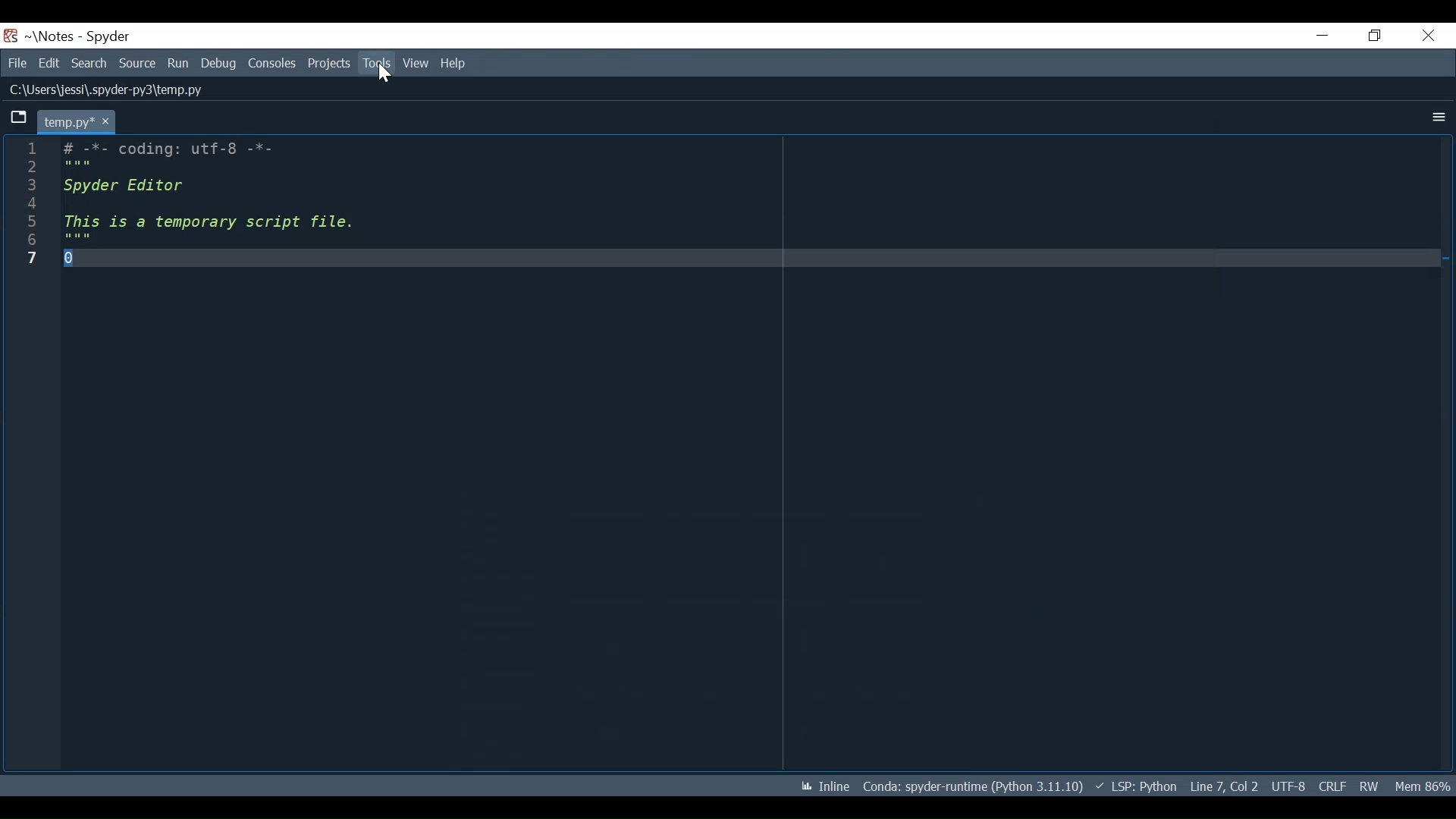 The width and height of the screenshot is (1456, 819). What do you see at coordinates (1137, 786) in the screenshot?
I see `Language` at bounding box center [1137, 786].